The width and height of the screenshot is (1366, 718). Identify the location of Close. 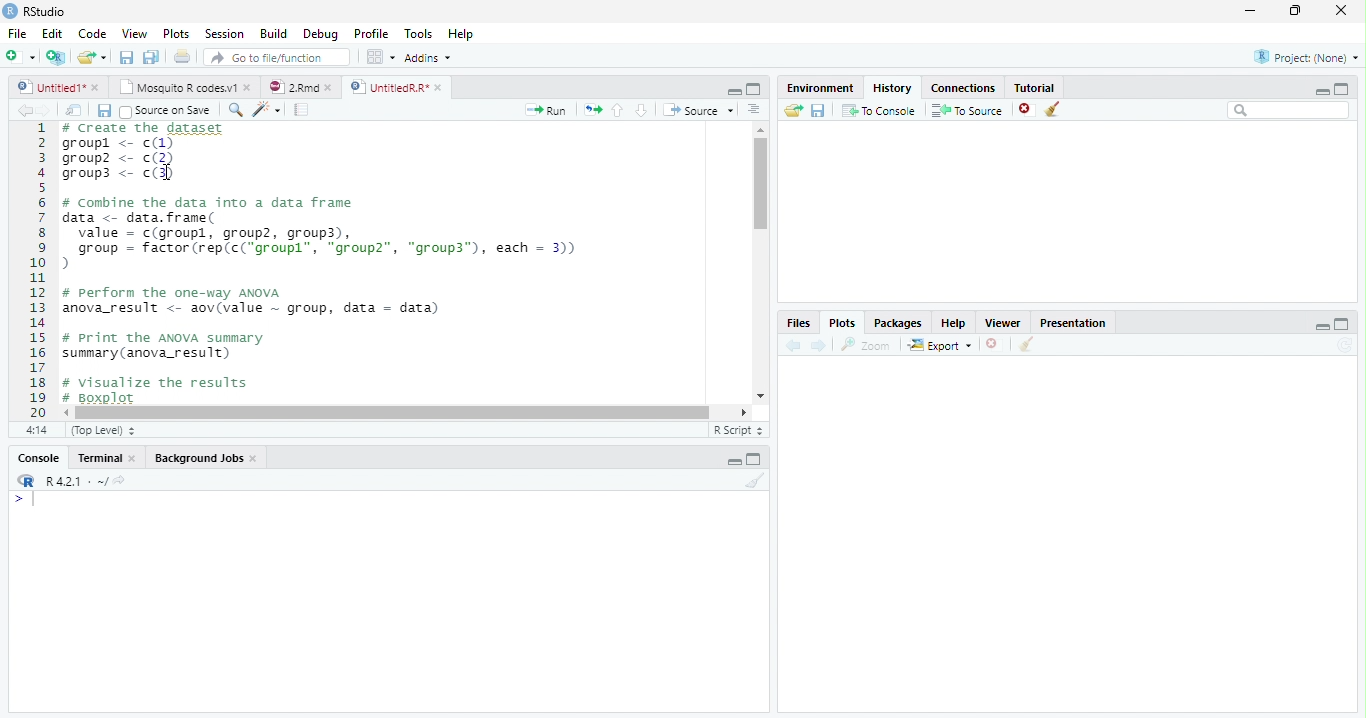
(1339, 12).